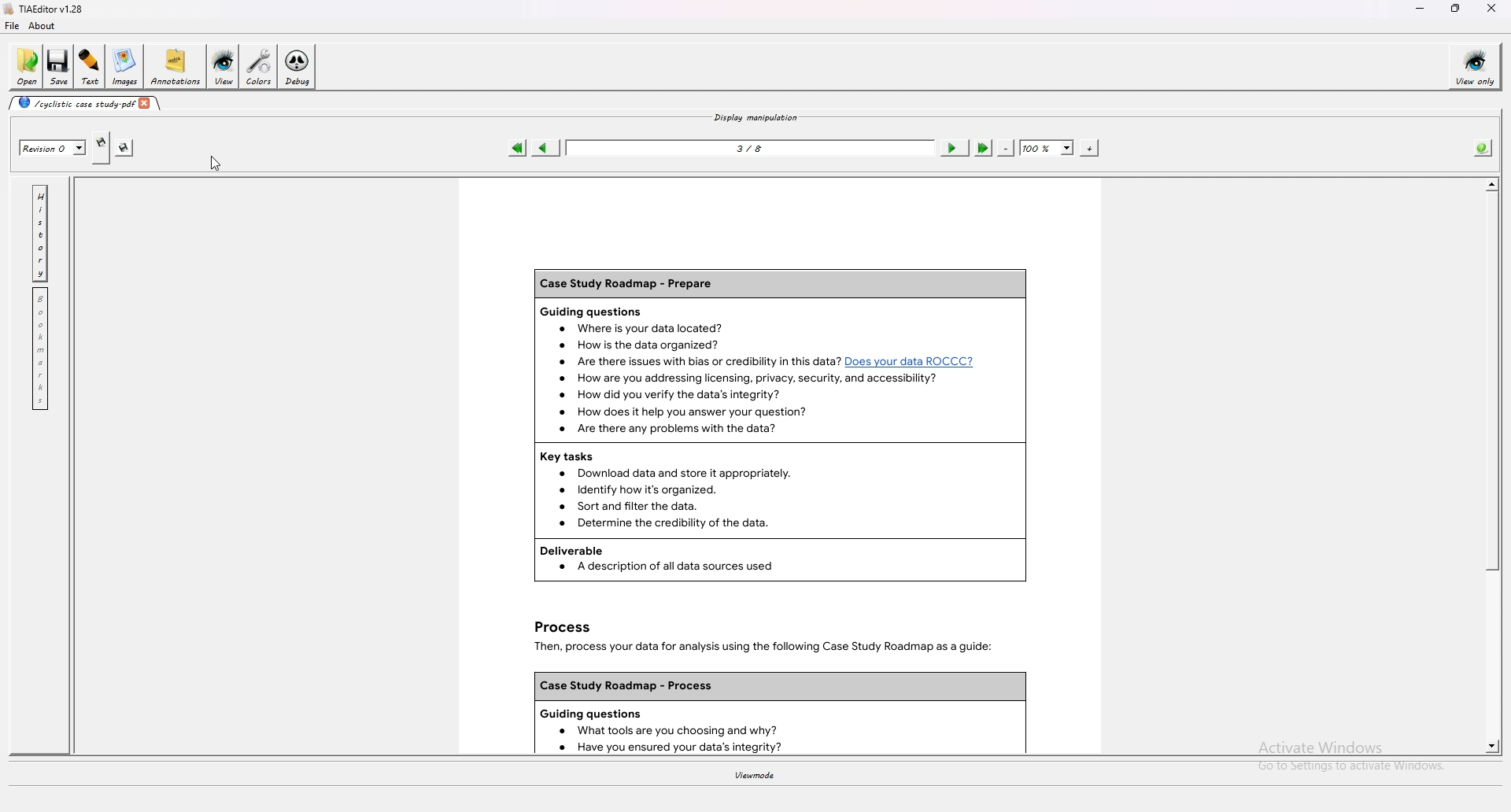  What do you see at coordinates (1005, 147) in the screenshot?
I see `zoom out` at bounding box center [1005, 147].